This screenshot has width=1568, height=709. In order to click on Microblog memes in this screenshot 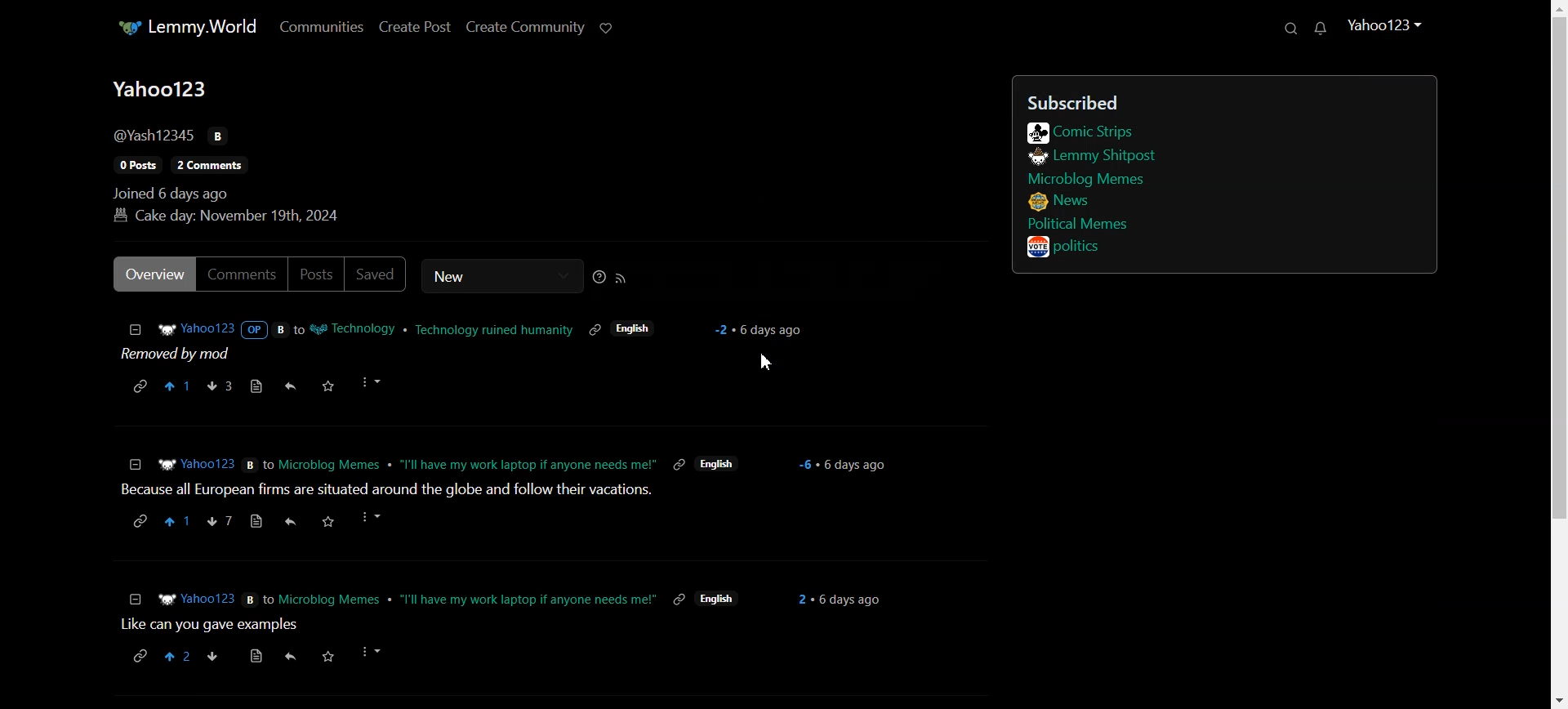, I will do `click(1086, 179)`.